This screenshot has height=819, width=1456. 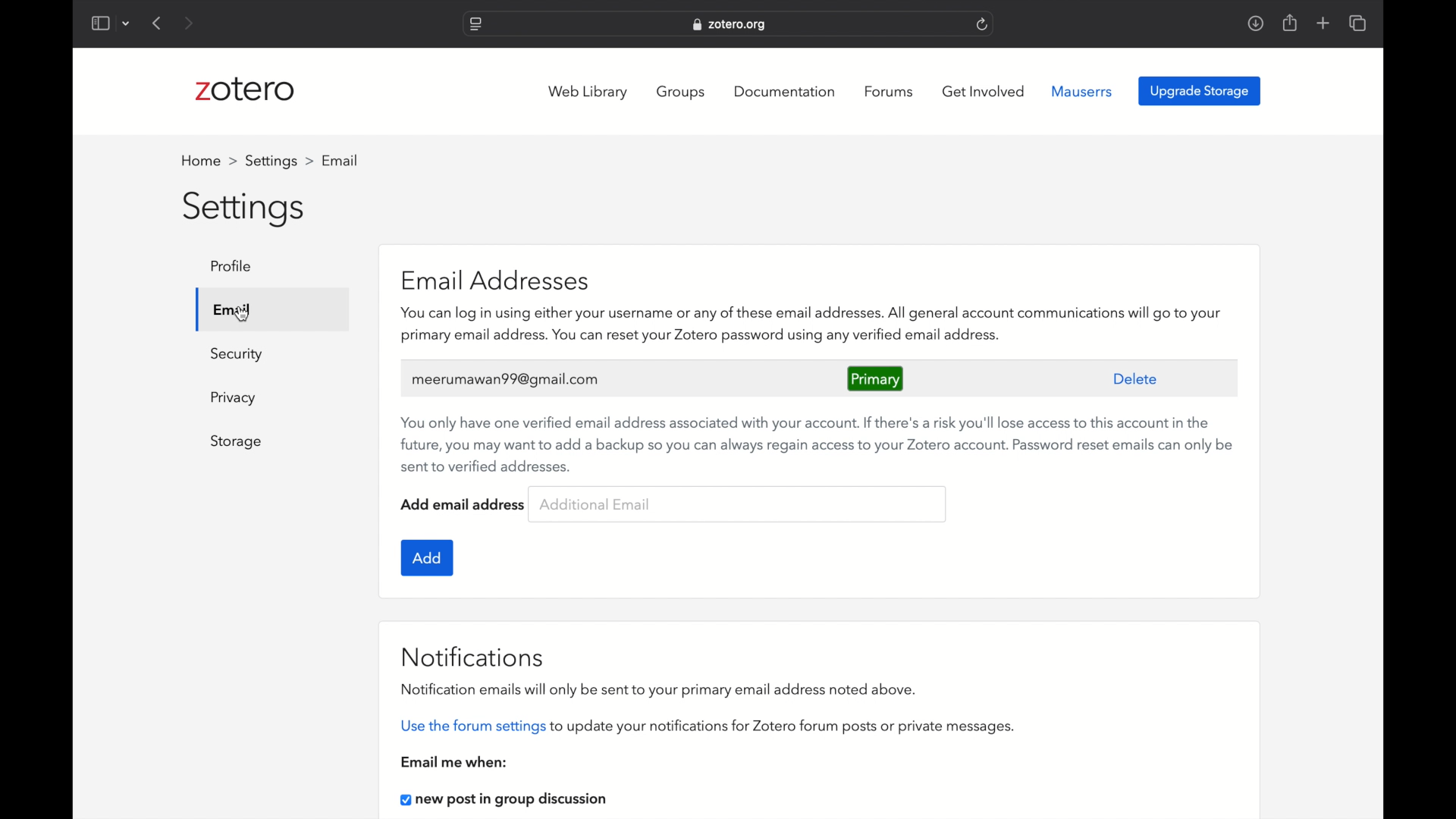 I want to click on profile, so click(x=236, y=265).